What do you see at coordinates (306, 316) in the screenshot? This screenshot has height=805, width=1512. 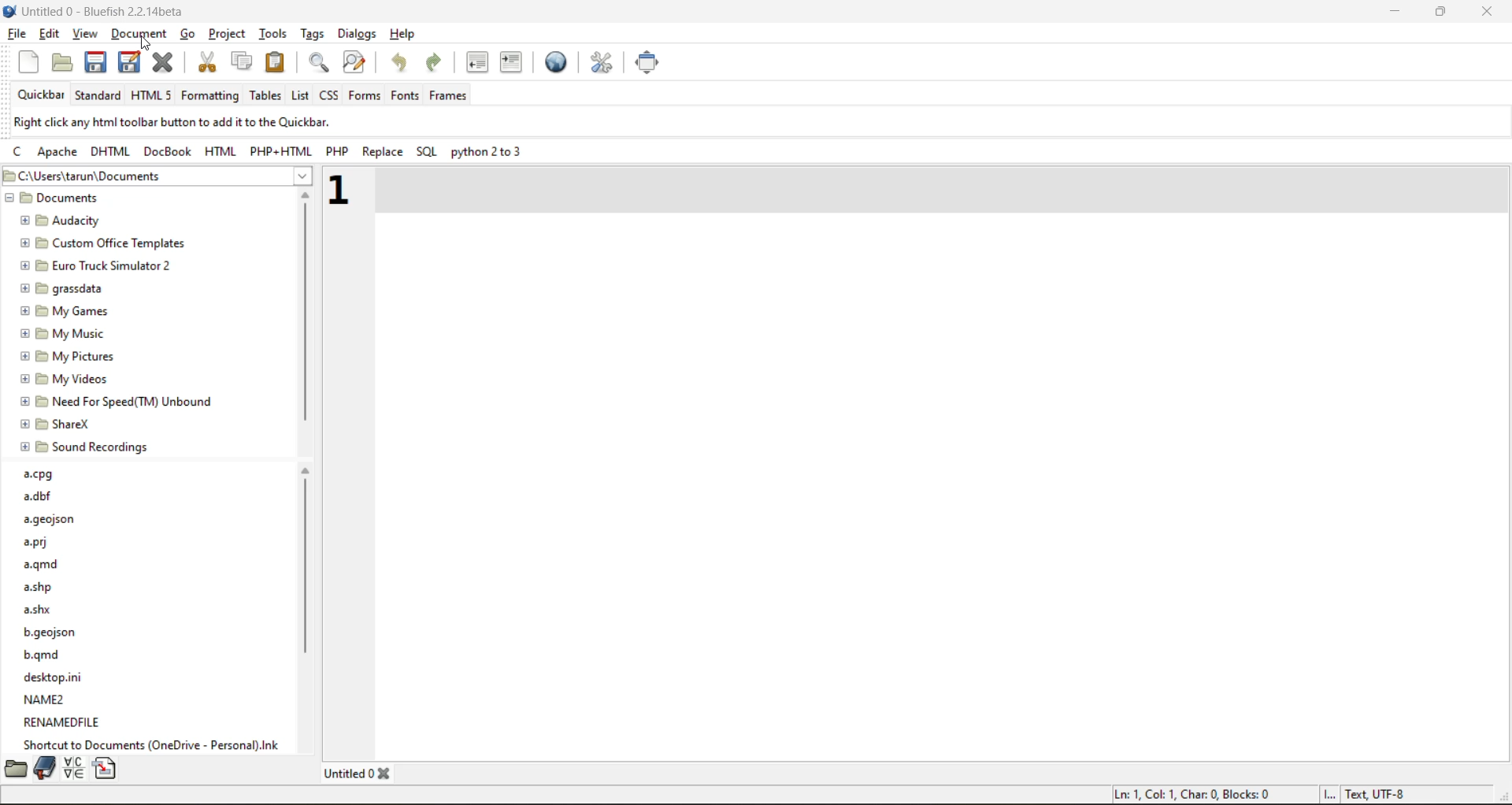 I see `vertical scroll bar` at bounding box center [306, 316].